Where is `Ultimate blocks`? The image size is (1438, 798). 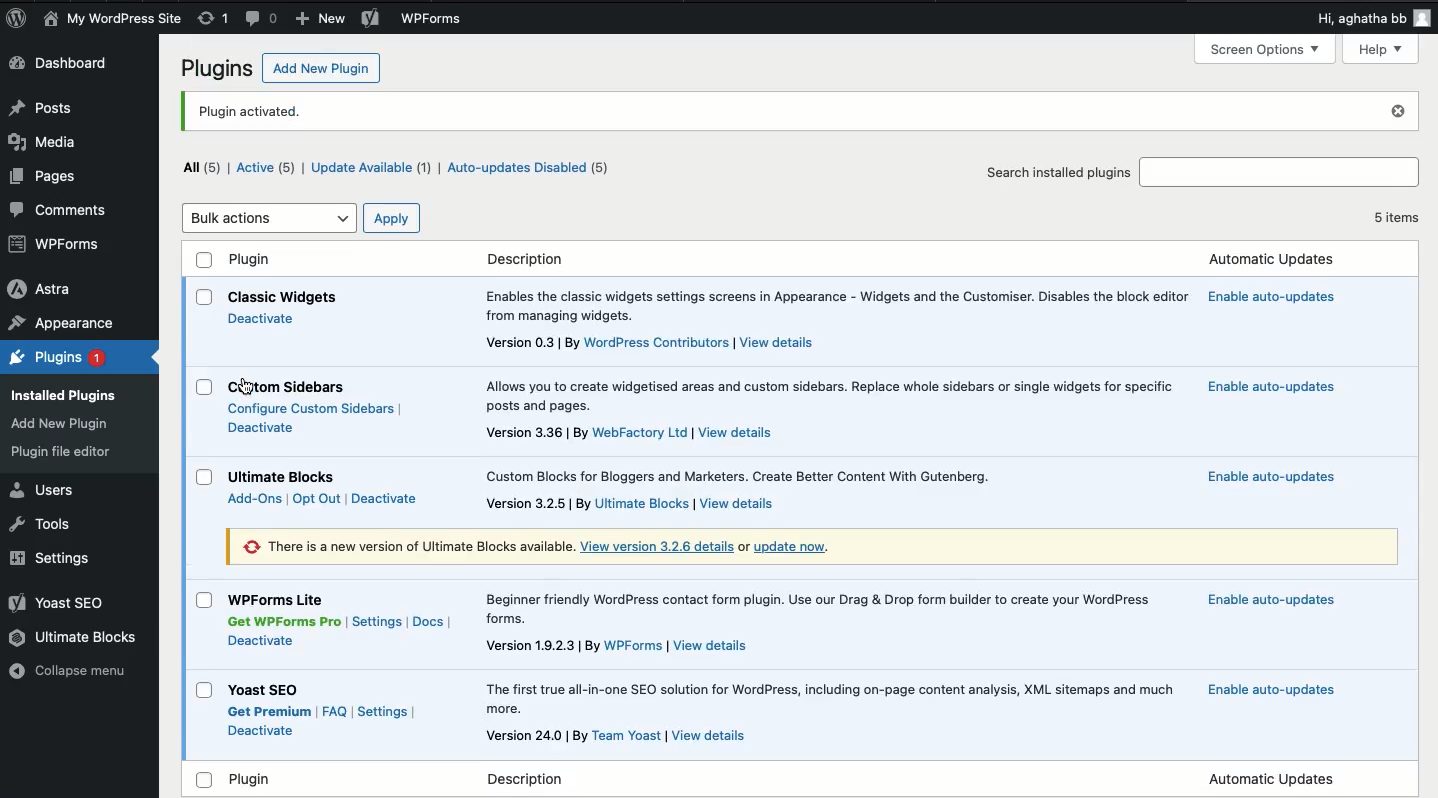
Ultimate blocks is located at coordinates (75, 638).